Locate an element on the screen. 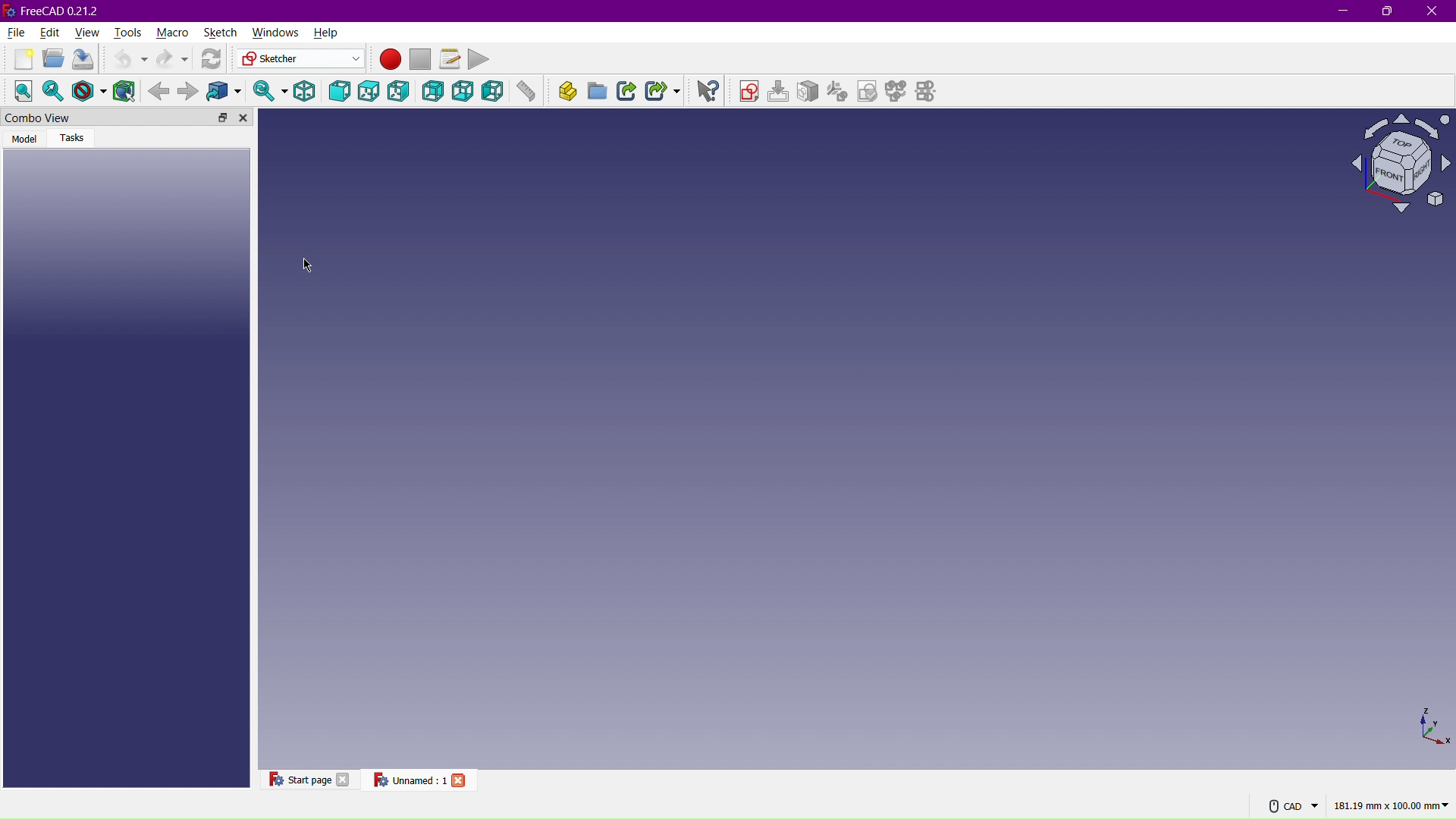 The image size is (1456, 819). Undo is located at coordinates (126, 57).